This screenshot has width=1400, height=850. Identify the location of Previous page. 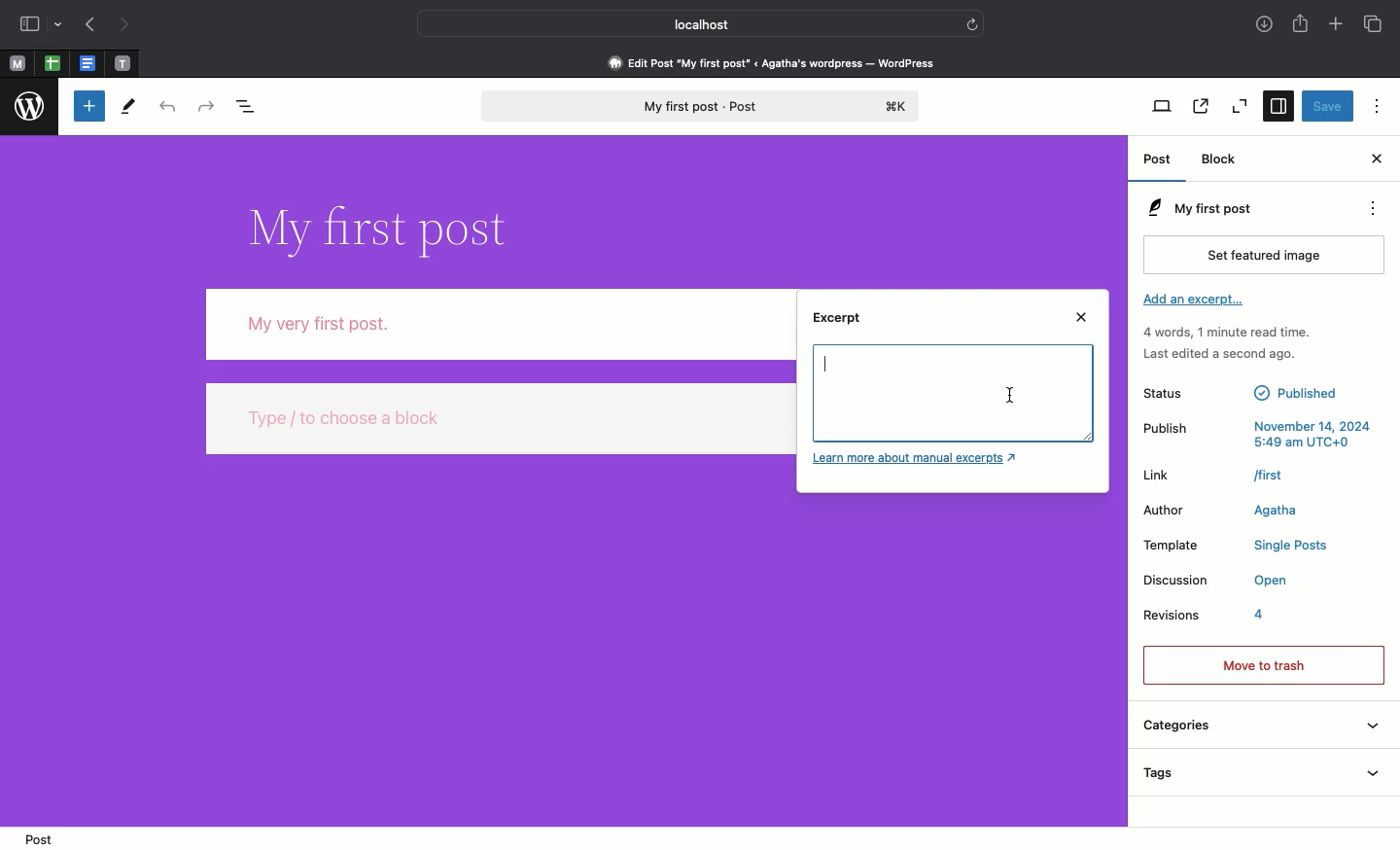
(89, 25).